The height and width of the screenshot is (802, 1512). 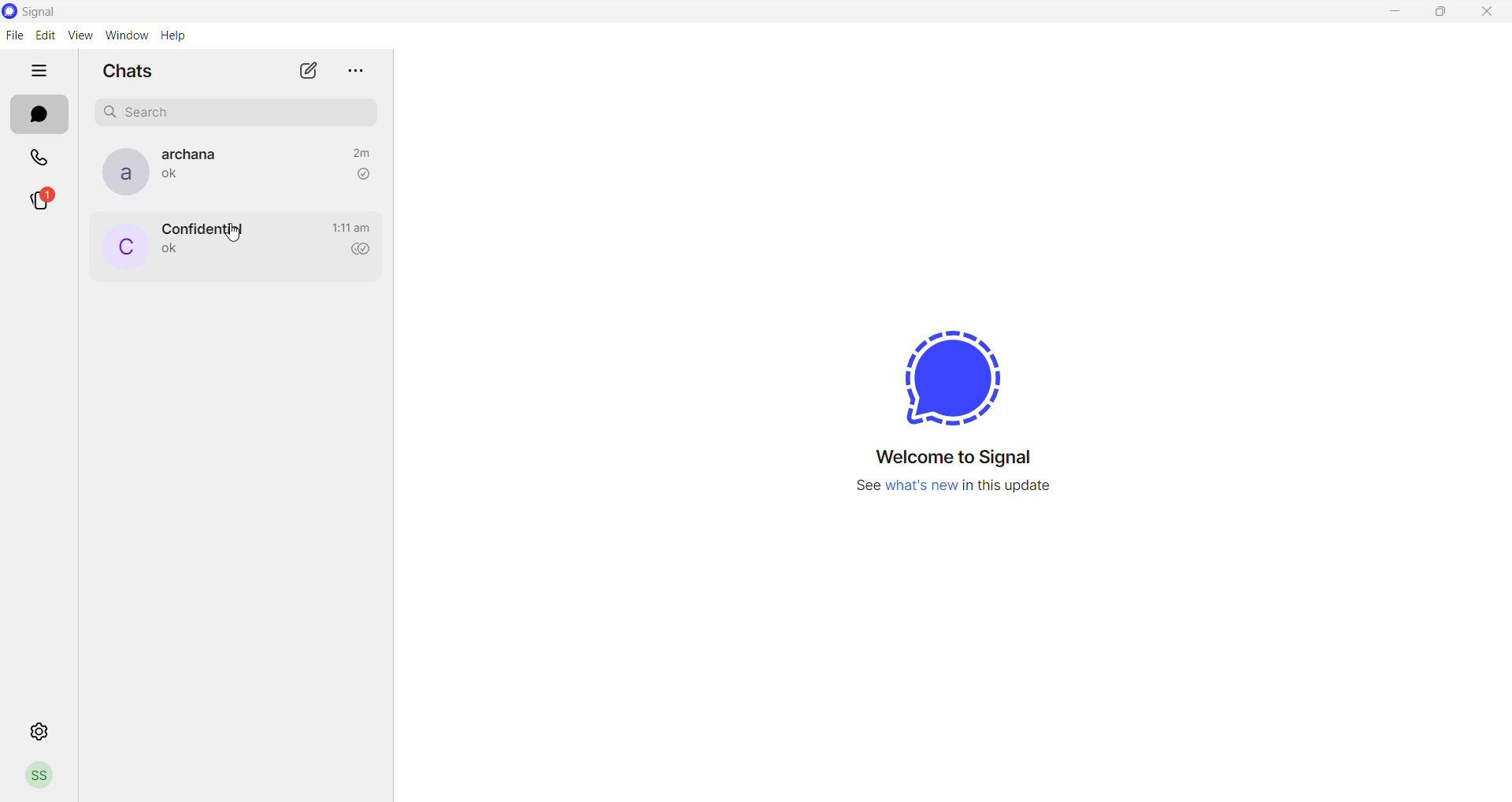 I want to click on read recipient, so click(x=365, y=251).